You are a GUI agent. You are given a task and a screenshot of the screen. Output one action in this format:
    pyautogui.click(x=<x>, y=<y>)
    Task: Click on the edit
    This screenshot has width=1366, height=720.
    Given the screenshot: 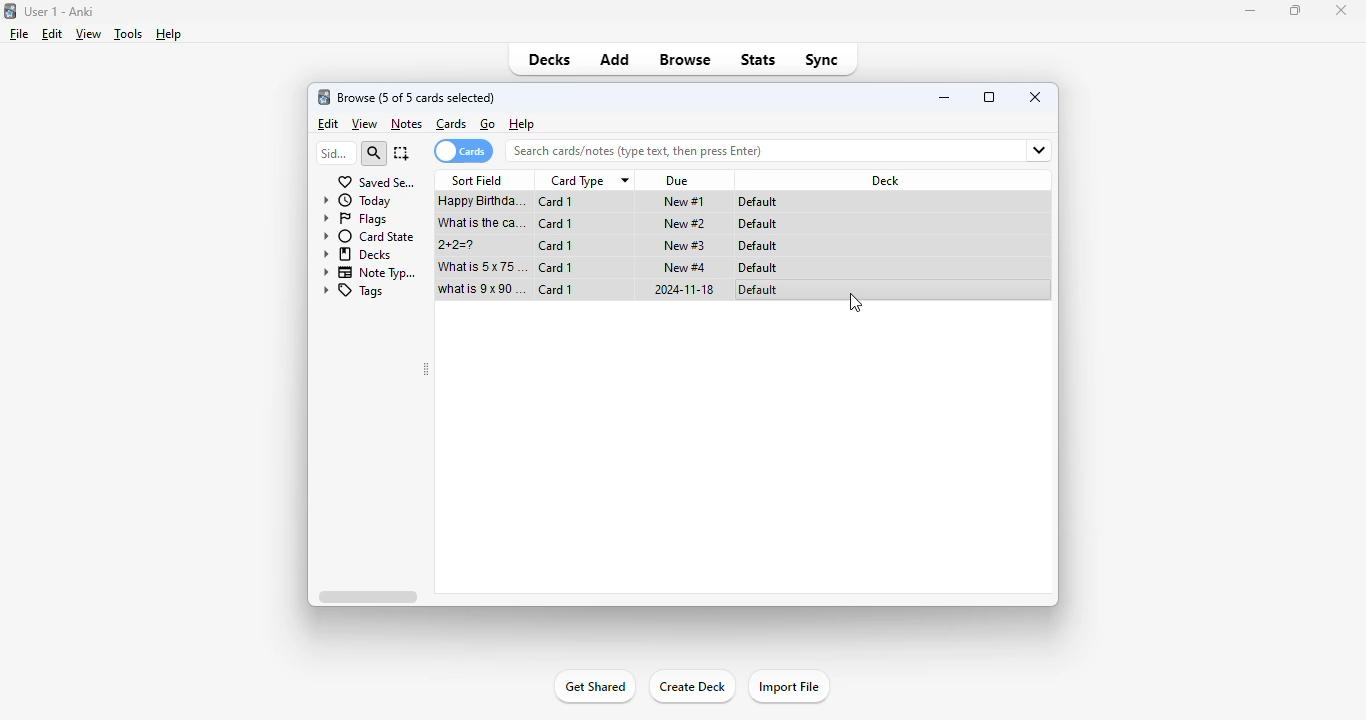 What is the action you would take?
    pyautogui.click(x=330, y=124)
    